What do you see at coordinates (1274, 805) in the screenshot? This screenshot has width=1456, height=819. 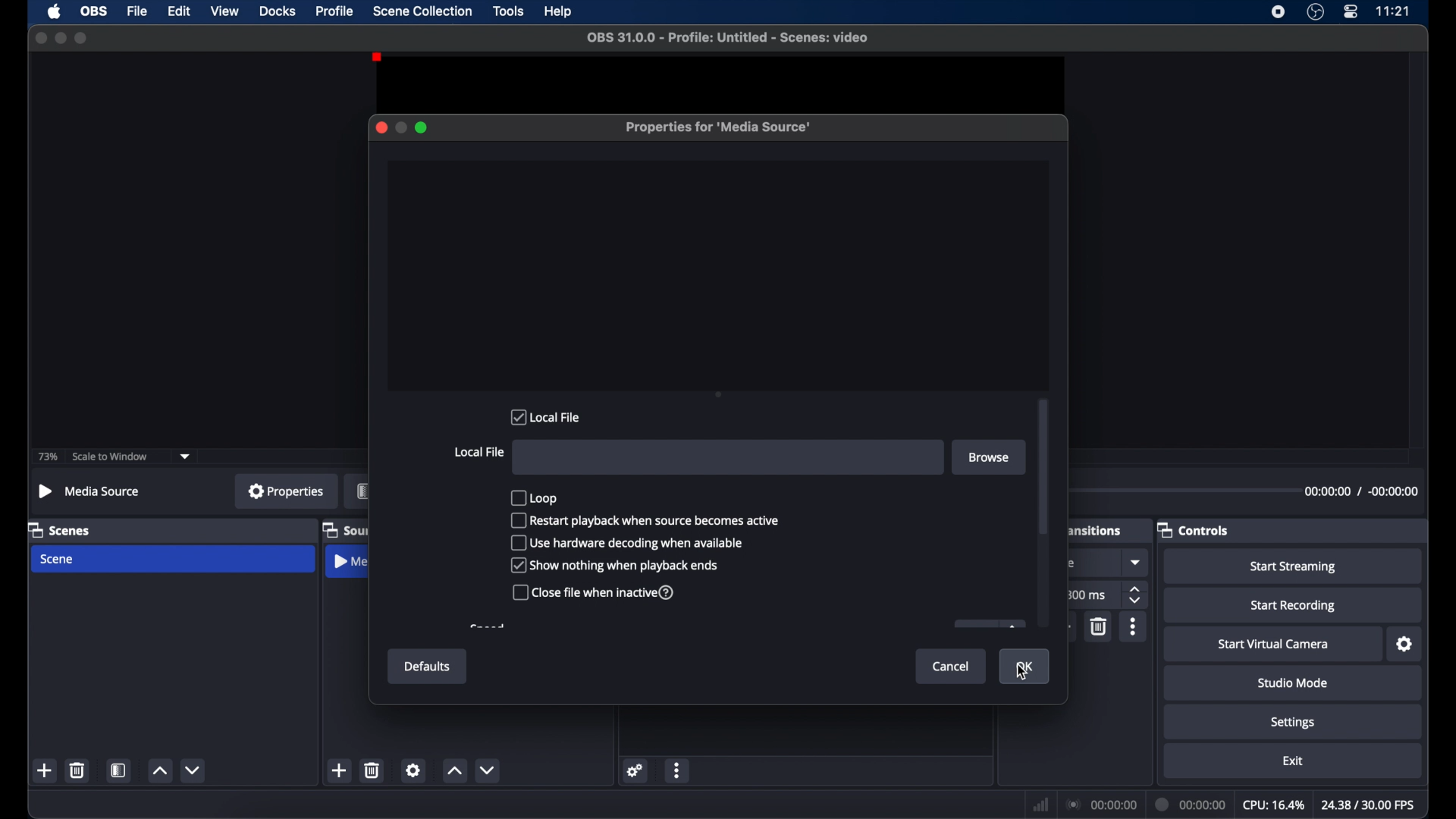 I see `cpu` at bounding box center [1274, 805].